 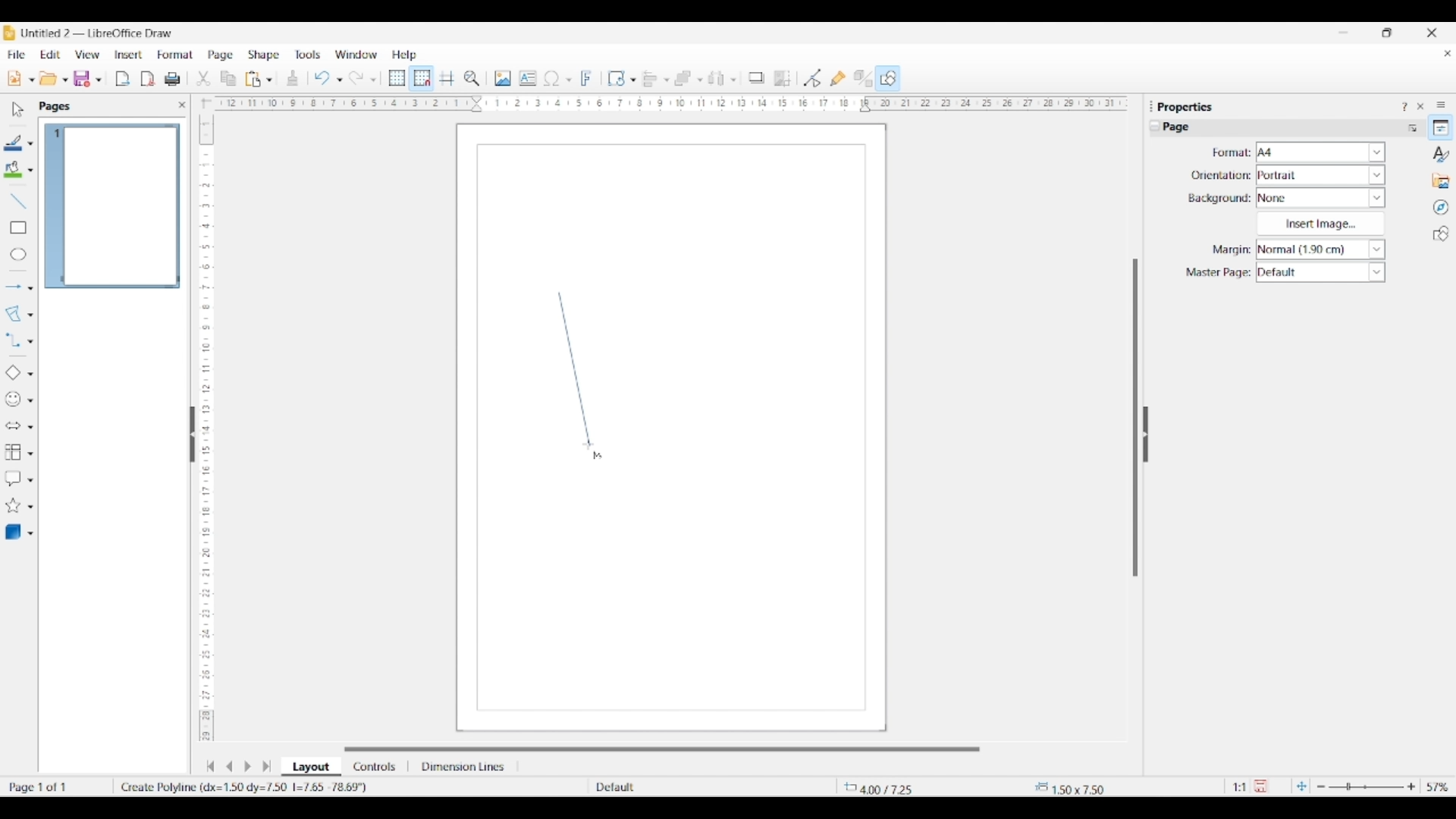 What do you see at coordinates (1386, 33) in the screenshot?
I see `Show interface in smaller tab` at bounding box center [1386, 33].